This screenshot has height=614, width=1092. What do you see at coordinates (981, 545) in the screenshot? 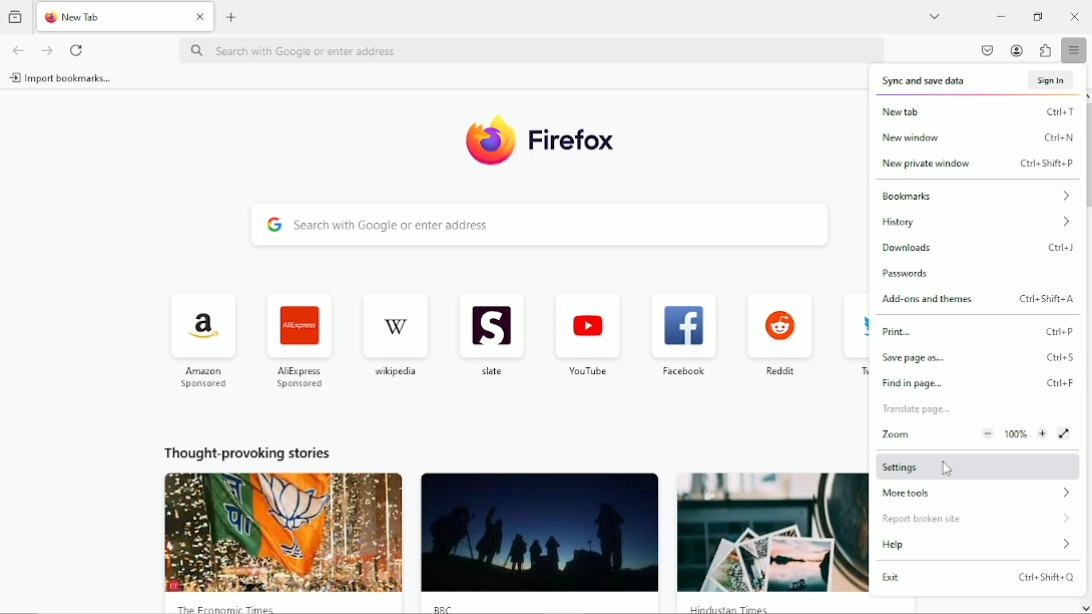
I see `help` at bounding box center [981, 545].